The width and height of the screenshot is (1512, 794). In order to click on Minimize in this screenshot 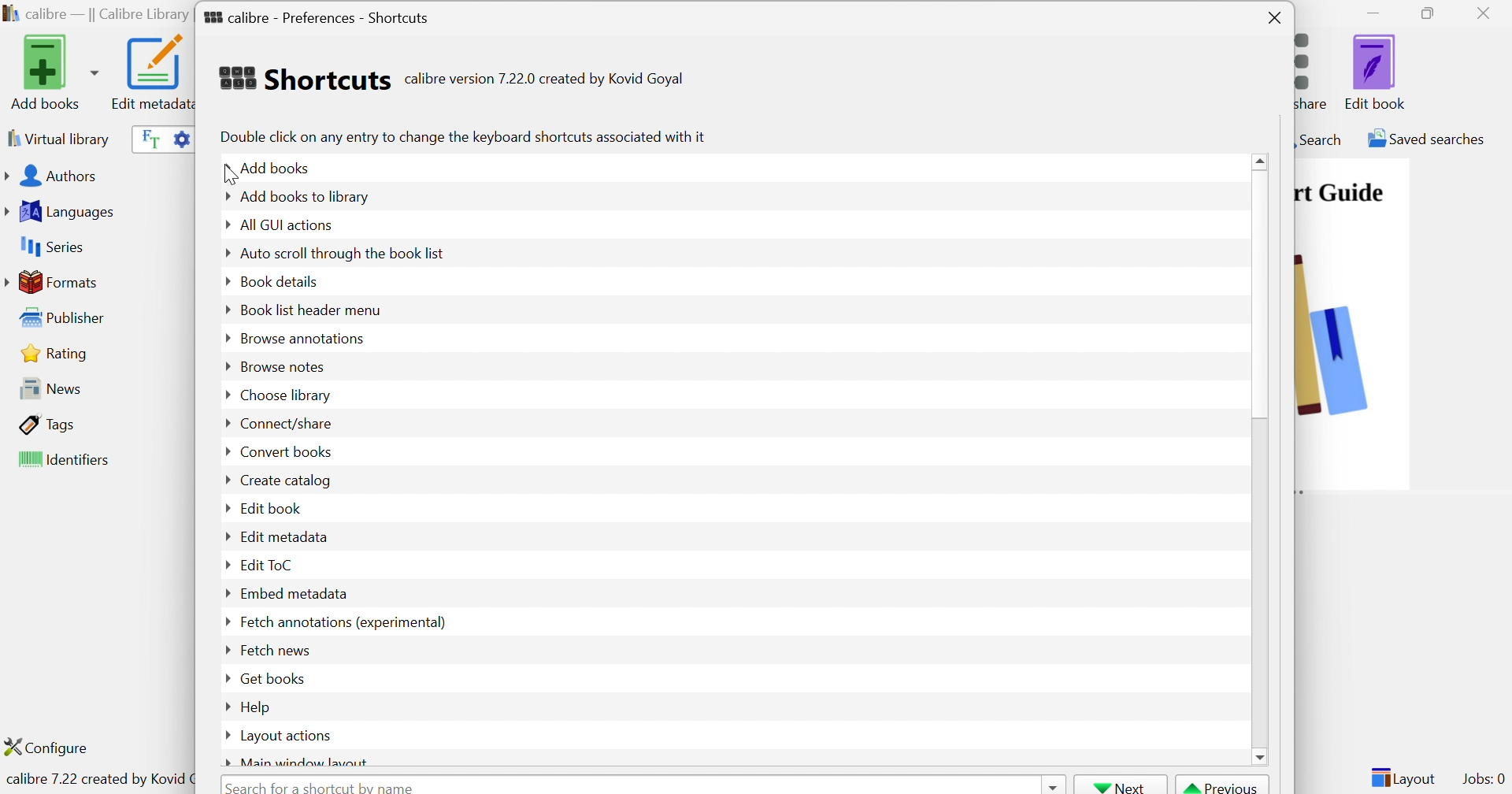, I will do `click(1373, 12)`.